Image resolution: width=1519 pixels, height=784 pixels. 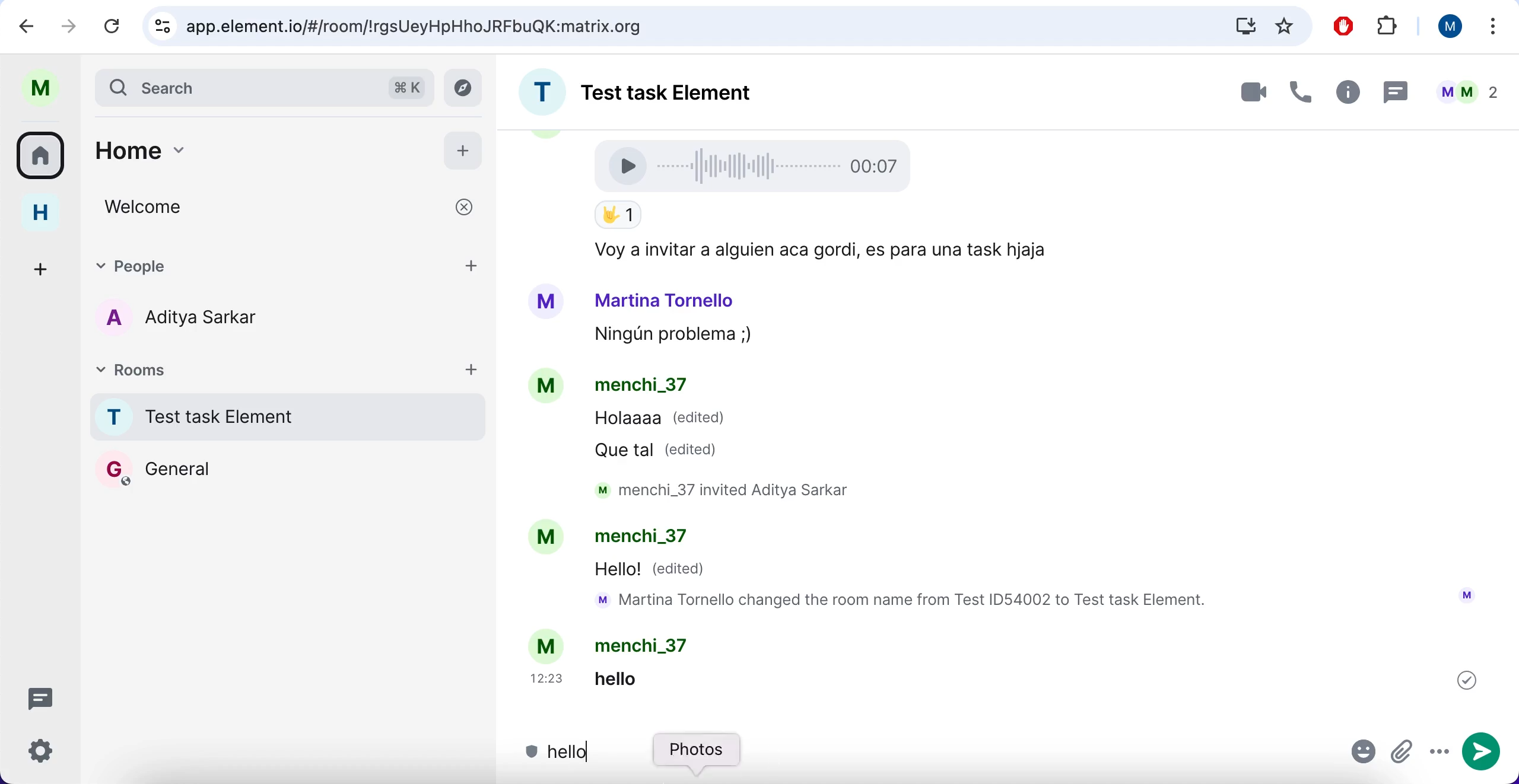 What do you see at coordinates (667, 336) in the screenshot?
I see `Ningun problema ;,` at bounding box center [667, 336].